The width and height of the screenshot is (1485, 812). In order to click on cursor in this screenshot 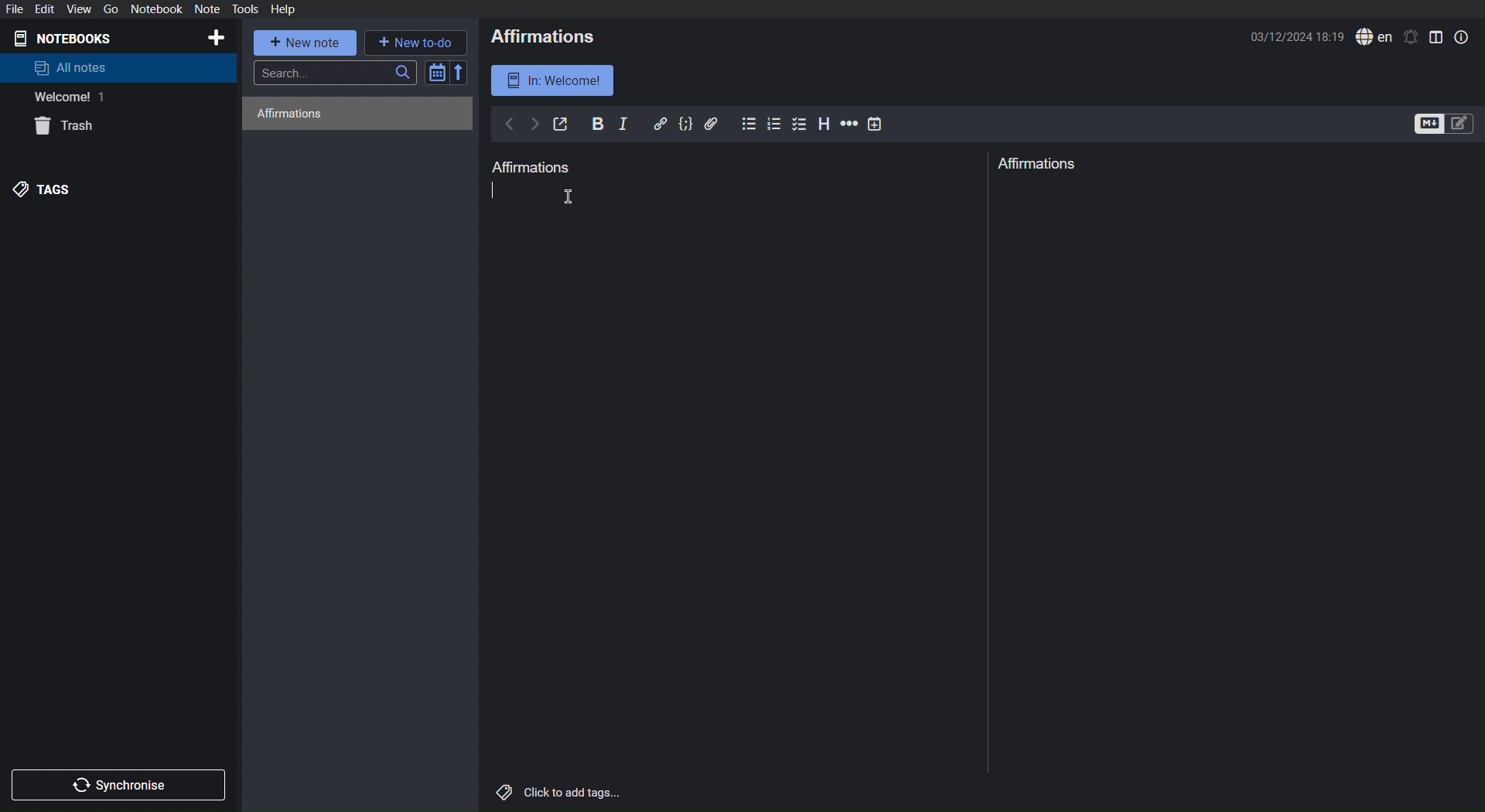, I will do `click(572, 196)`.